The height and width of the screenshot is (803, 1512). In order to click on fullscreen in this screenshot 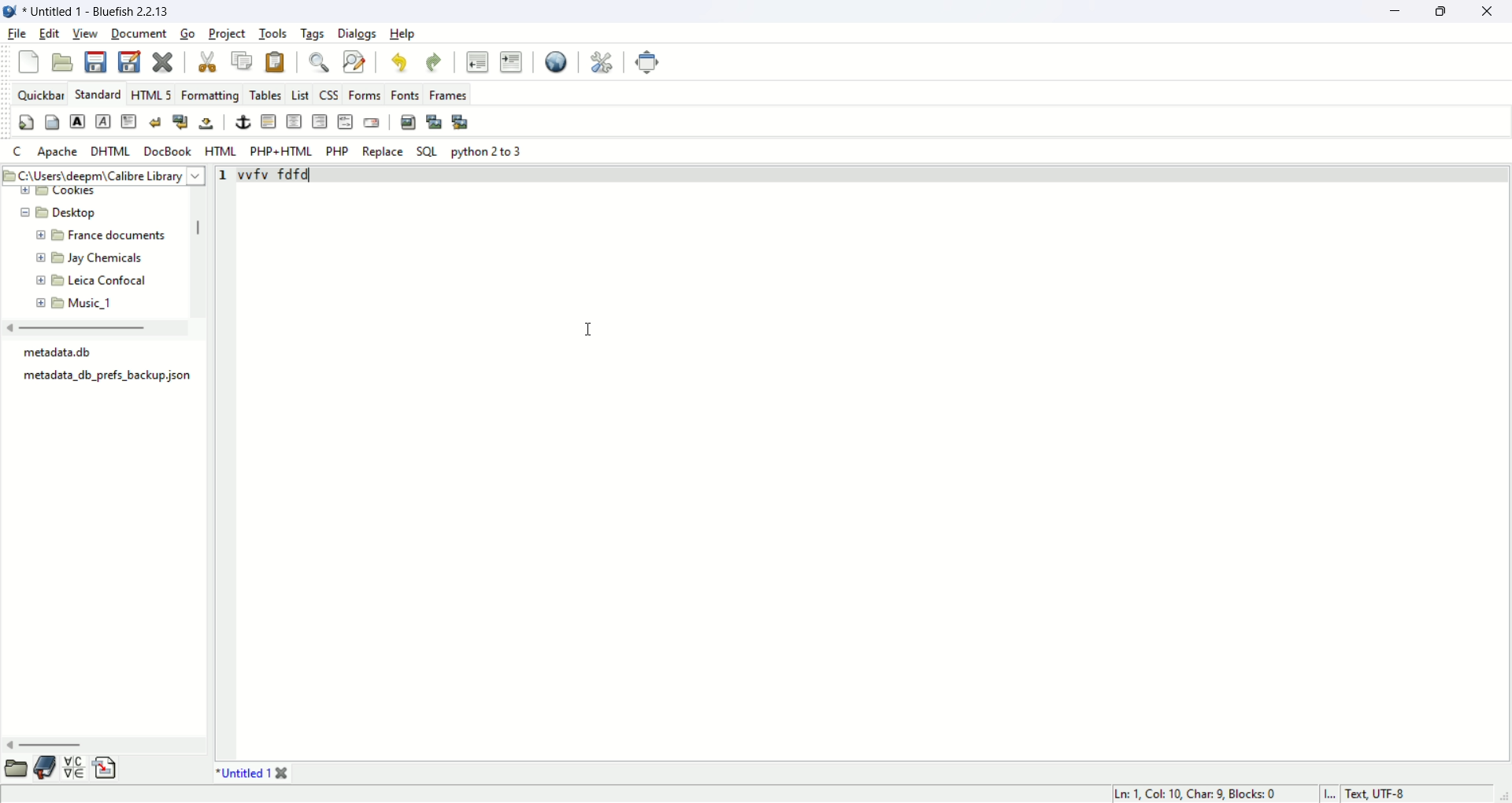, I will do `click(651, 64)`.